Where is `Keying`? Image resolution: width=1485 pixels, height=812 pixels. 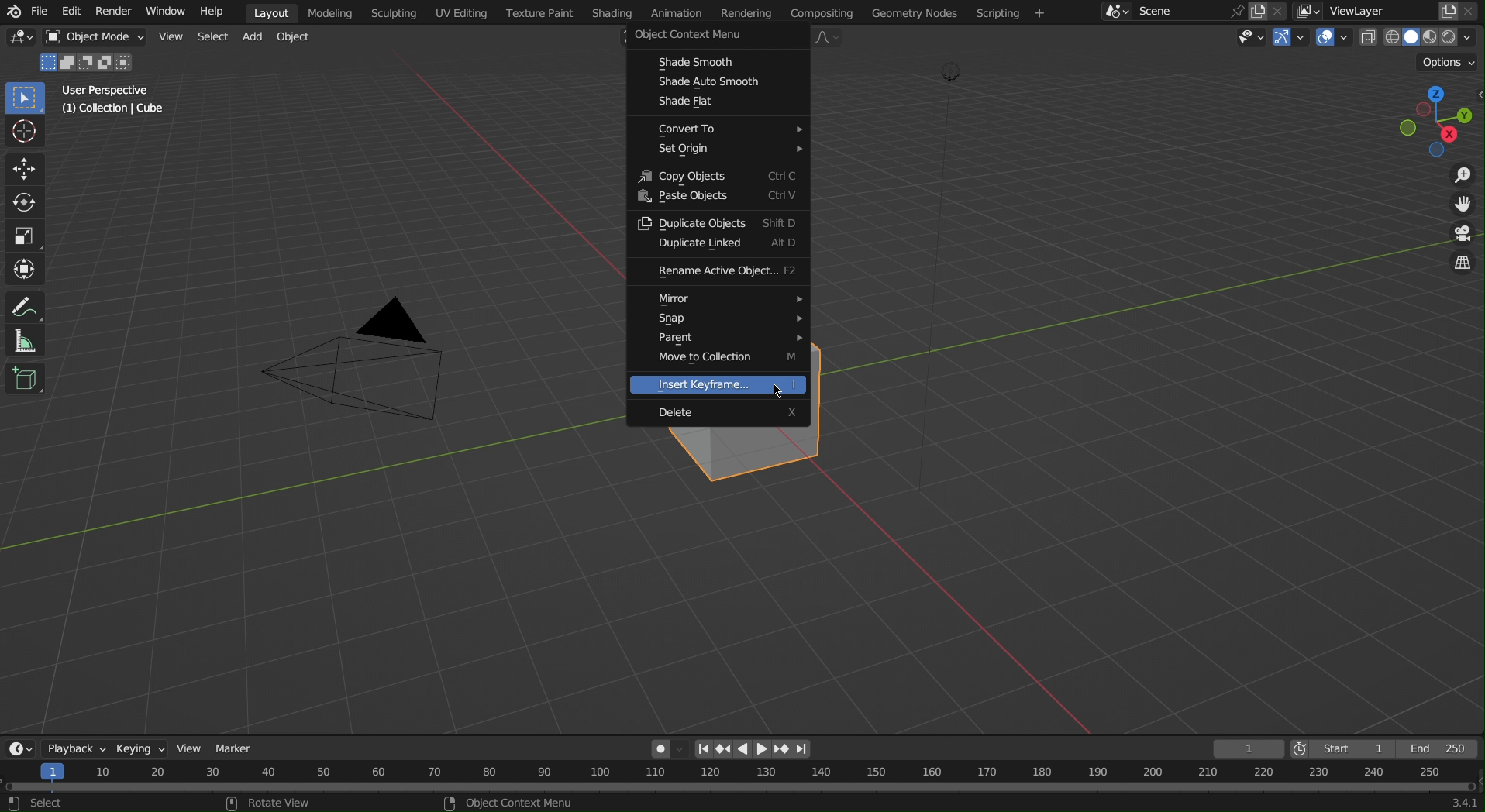
Keying is located at coordinates (141, 751).